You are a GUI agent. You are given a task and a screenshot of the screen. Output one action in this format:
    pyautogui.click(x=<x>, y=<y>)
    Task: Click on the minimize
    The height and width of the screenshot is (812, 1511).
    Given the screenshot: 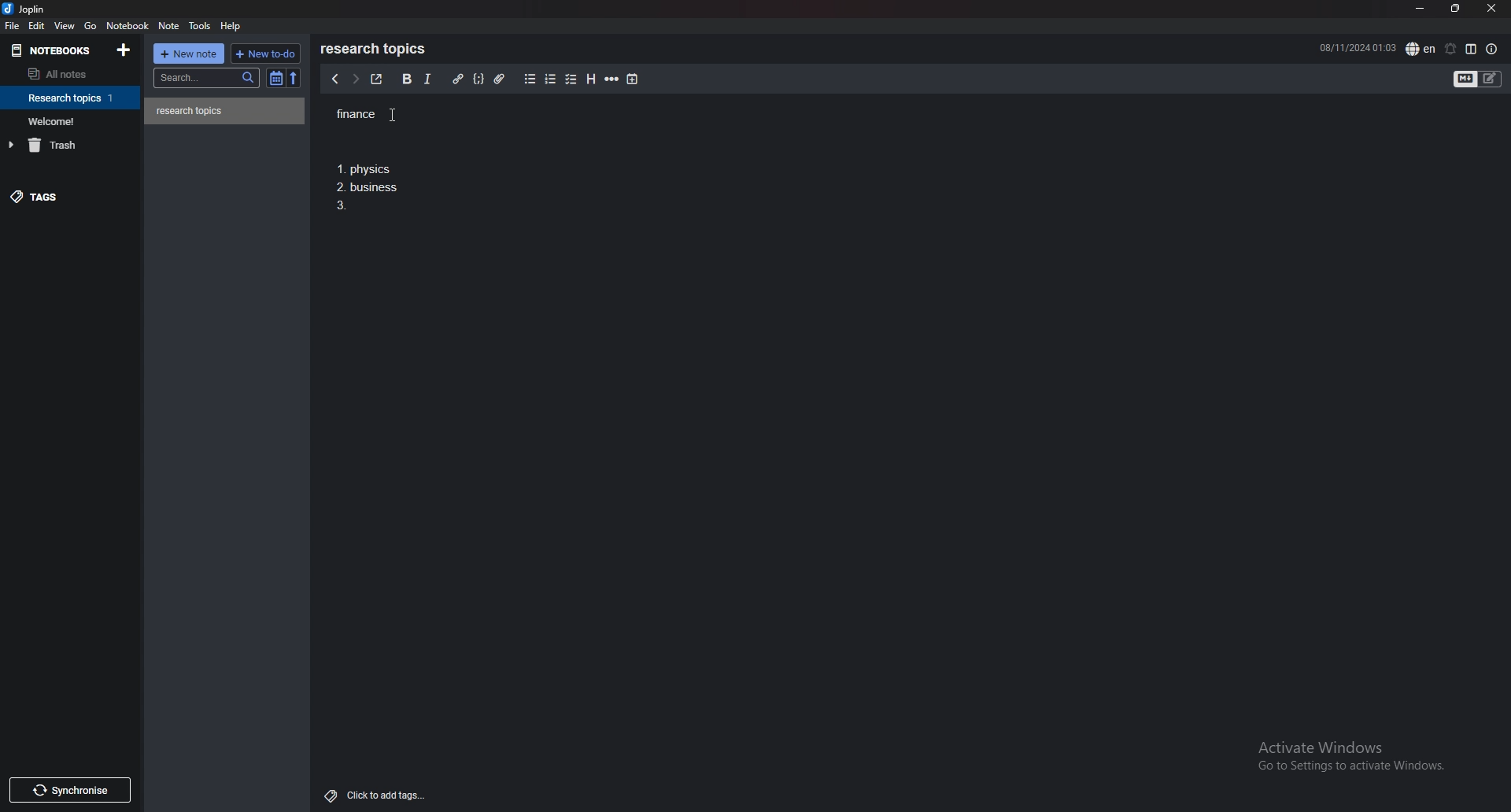 What is the action you would take?
    pyautogui.click(x=1419, y=9)
    